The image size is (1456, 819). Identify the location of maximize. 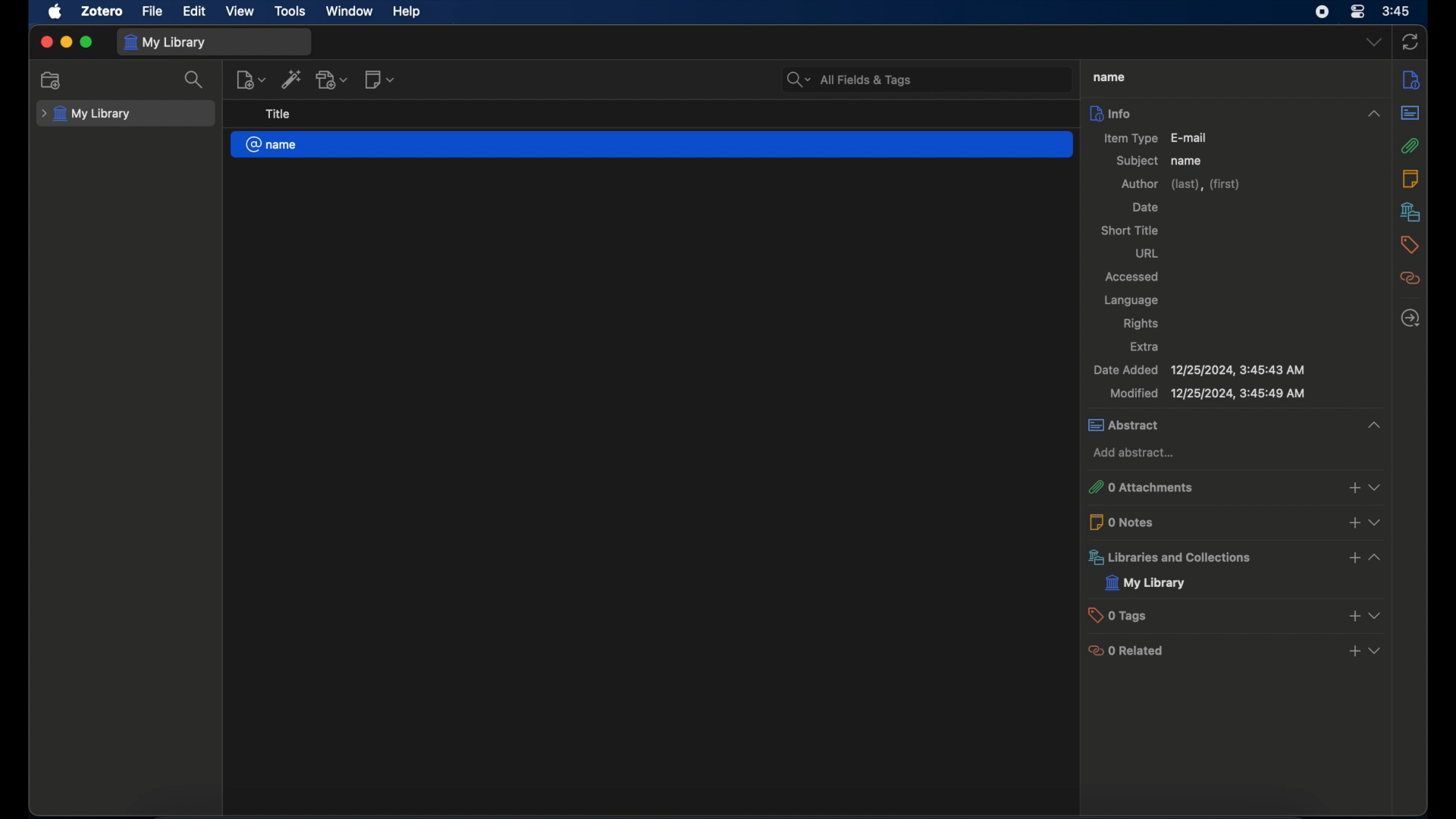
(88, 42).